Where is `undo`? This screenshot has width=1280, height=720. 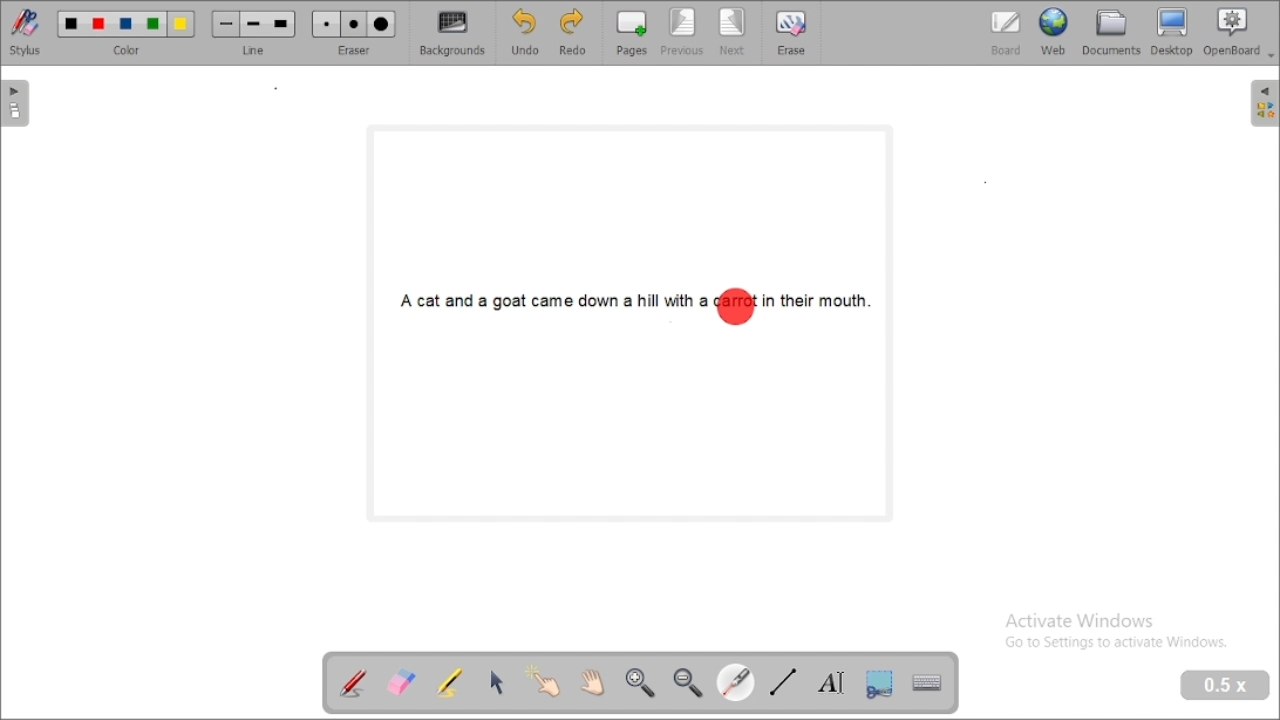 undo is located at coordinates (525, 33).